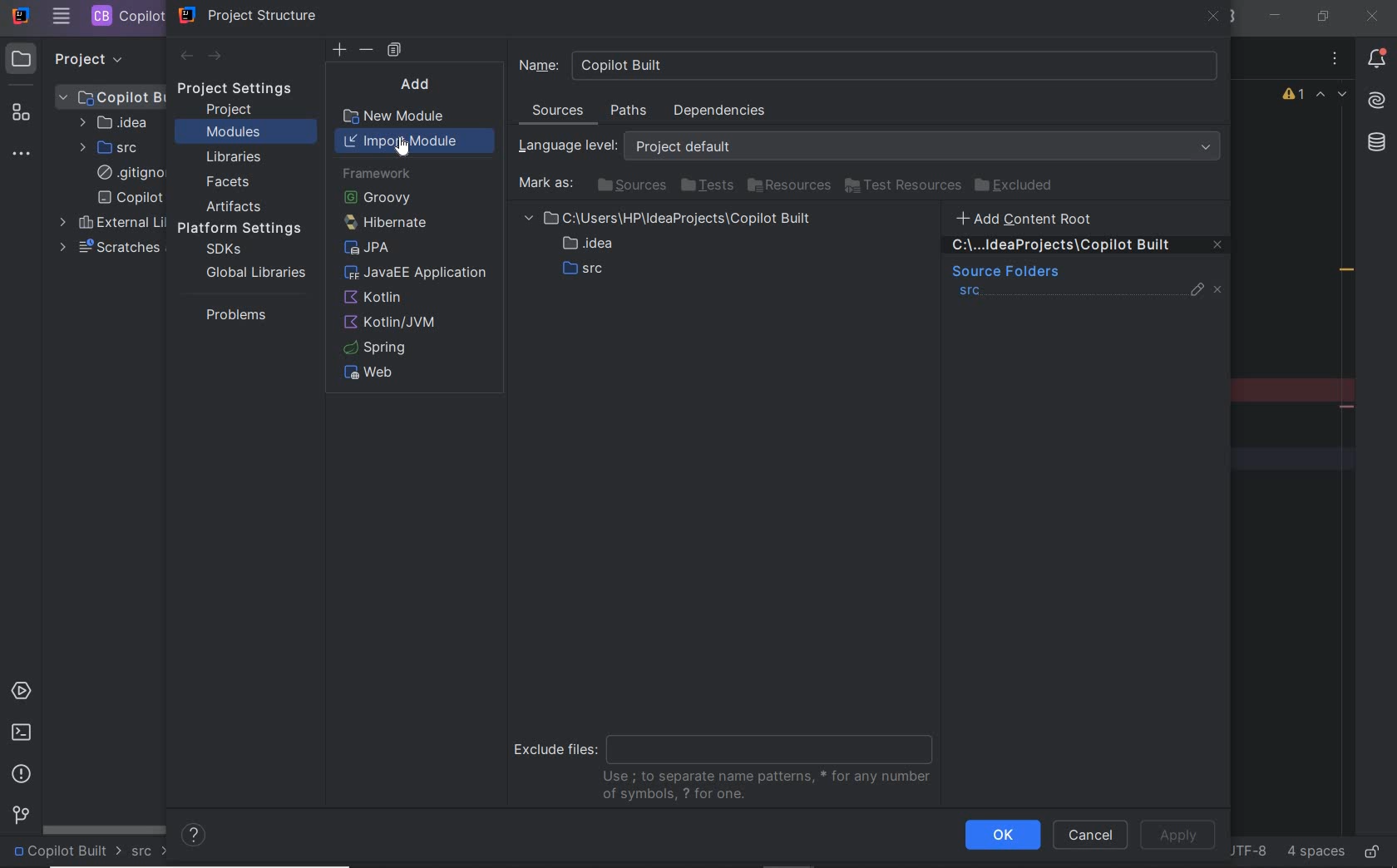 The image size is (1397, 868). I want to click on project name, so click(67, 852).